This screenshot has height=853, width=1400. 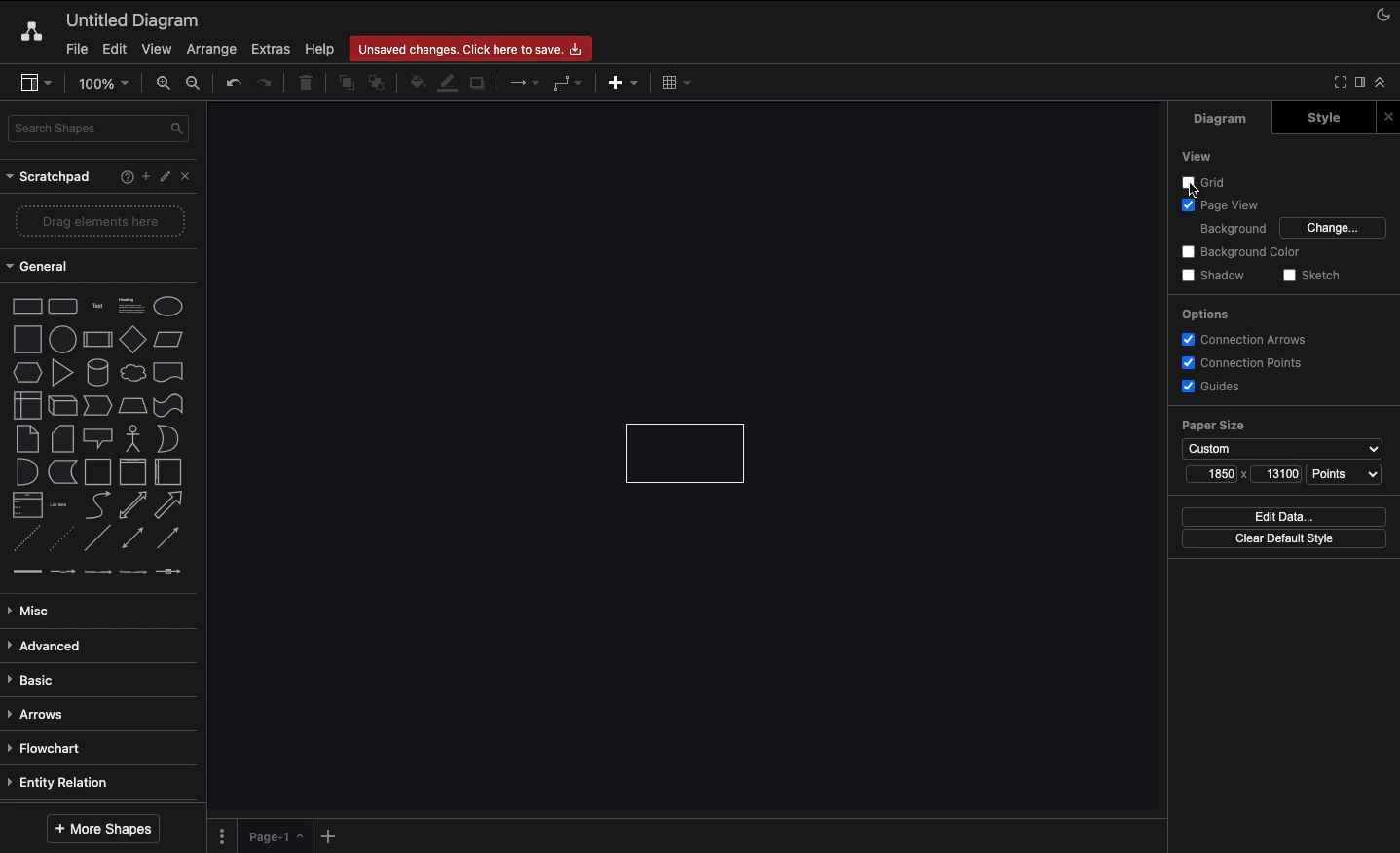 What do you see at coordinates (1391, 115) in the screenshot?
I see `Close` at bounding box center [1391, 115].